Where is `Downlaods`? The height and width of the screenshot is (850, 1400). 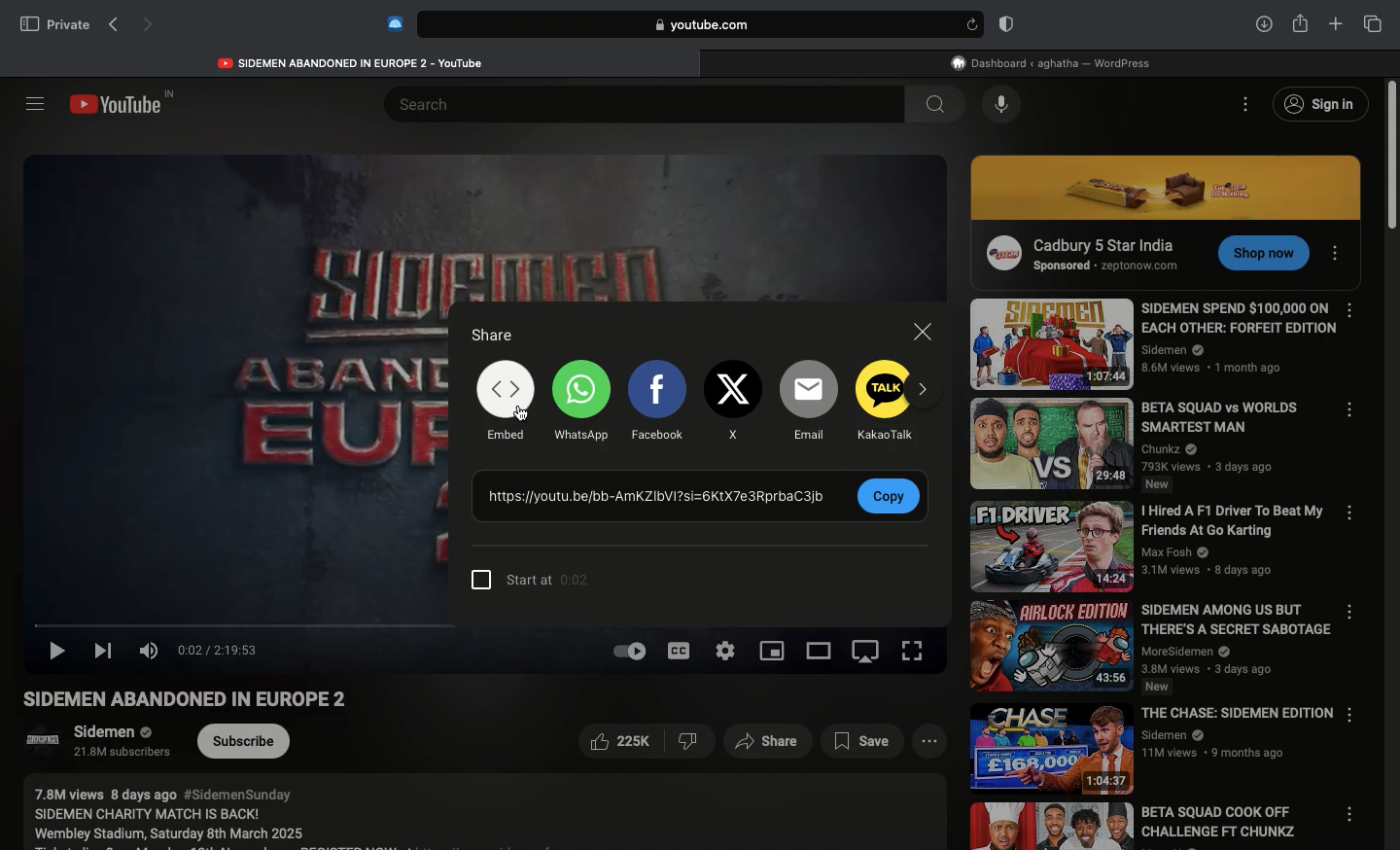 Downlaods is located at coordinates (1261, 25).